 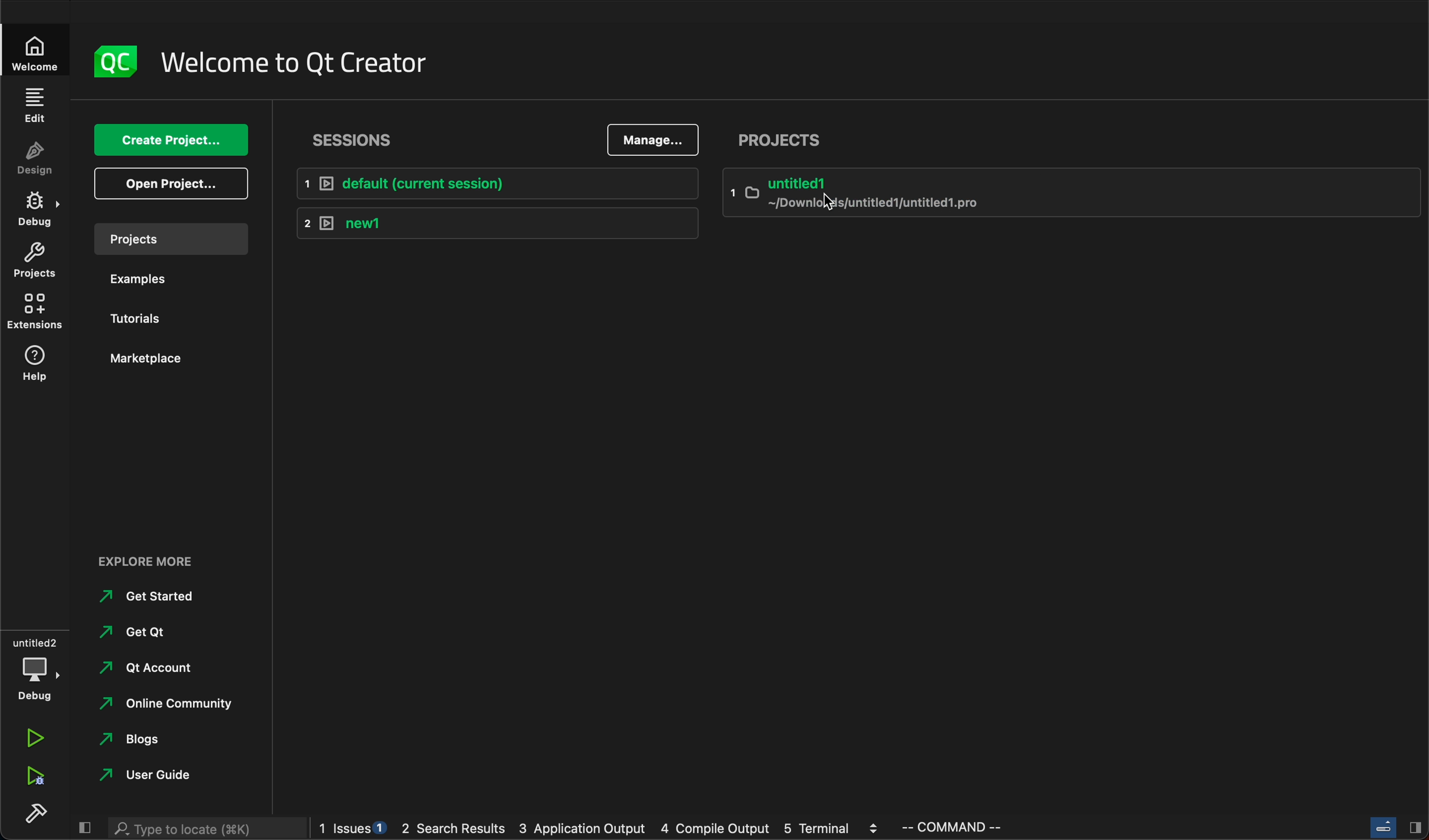 What do you see at coordinates (783, 137) in the screenshot?
I see `projects` at bounding box center [783, 137].